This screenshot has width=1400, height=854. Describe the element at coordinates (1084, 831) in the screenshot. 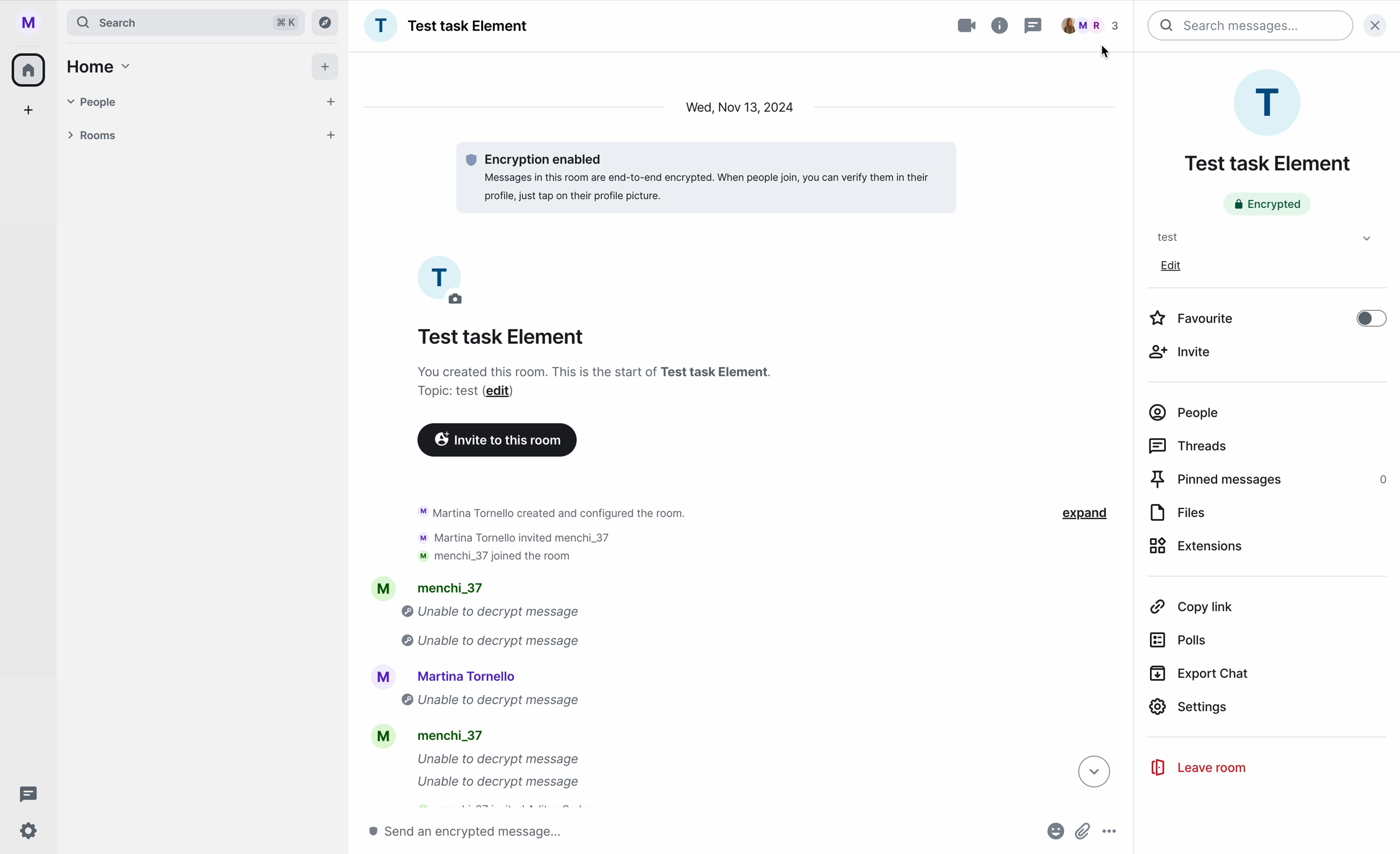

I see `attach file` at that location.